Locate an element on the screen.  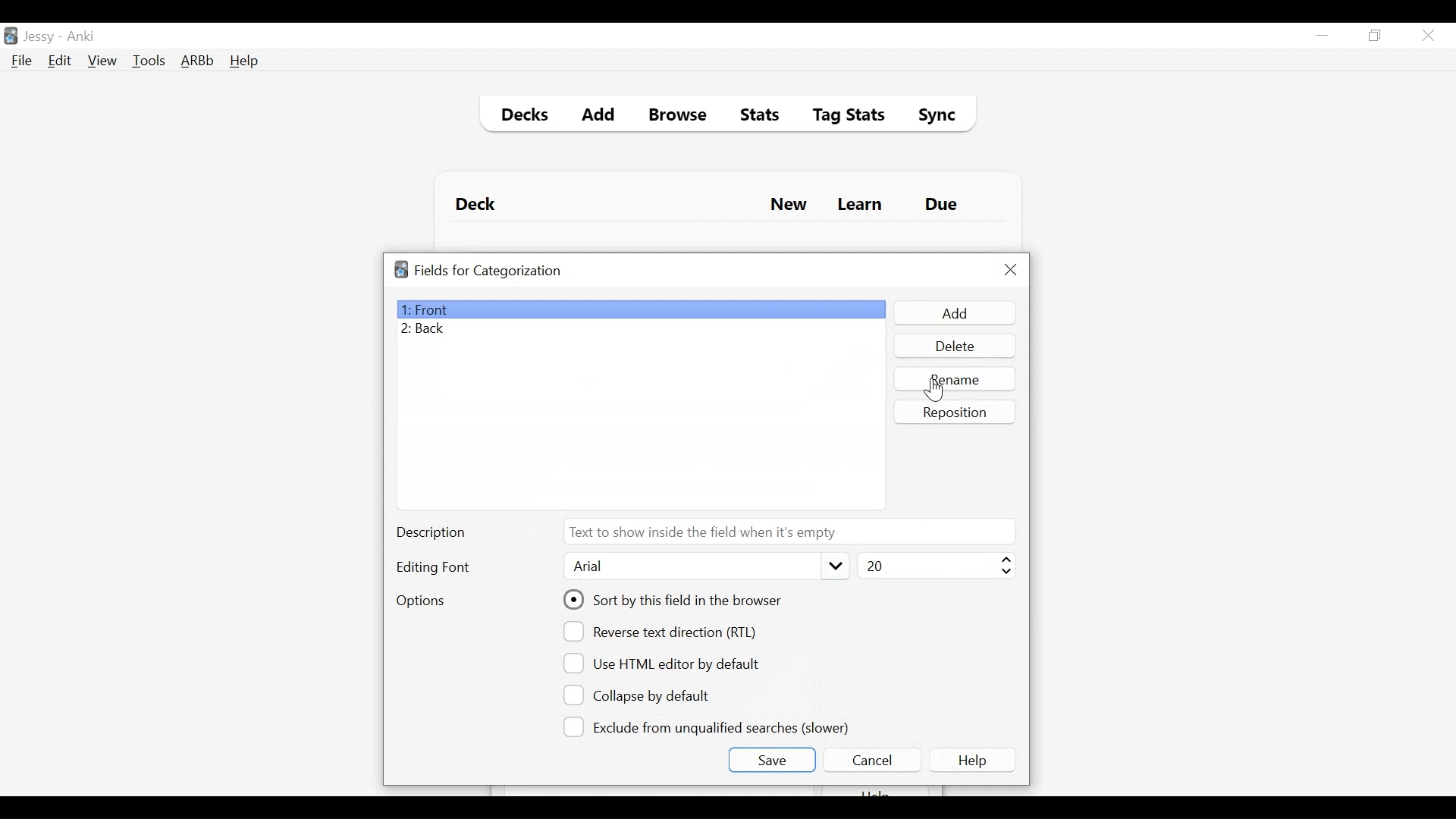
minimize is located at coordinates (1322, 36).